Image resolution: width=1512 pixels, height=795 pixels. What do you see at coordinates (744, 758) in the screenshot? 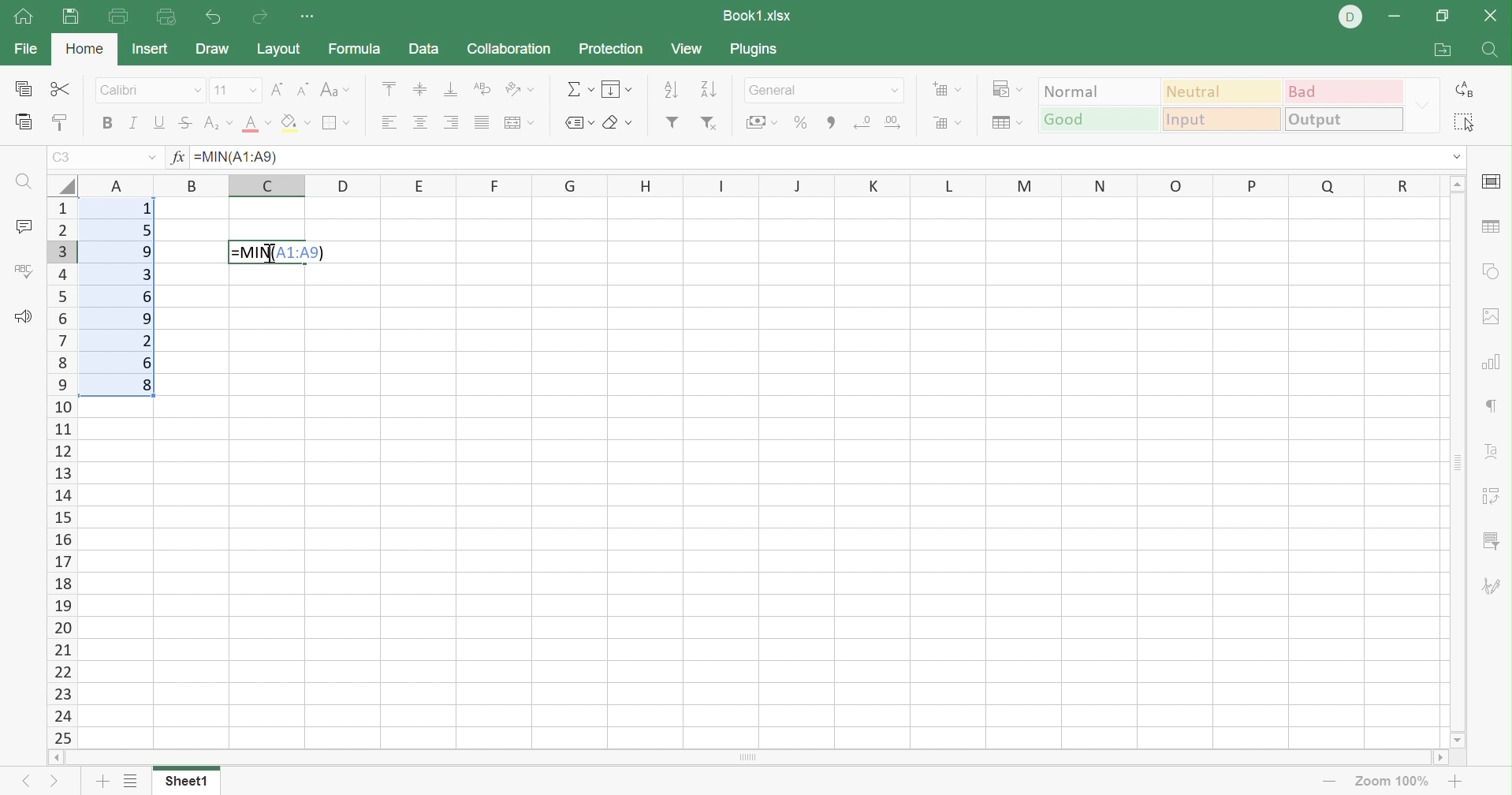
I see `Scroll Bar` at bounding box center [744, 758].